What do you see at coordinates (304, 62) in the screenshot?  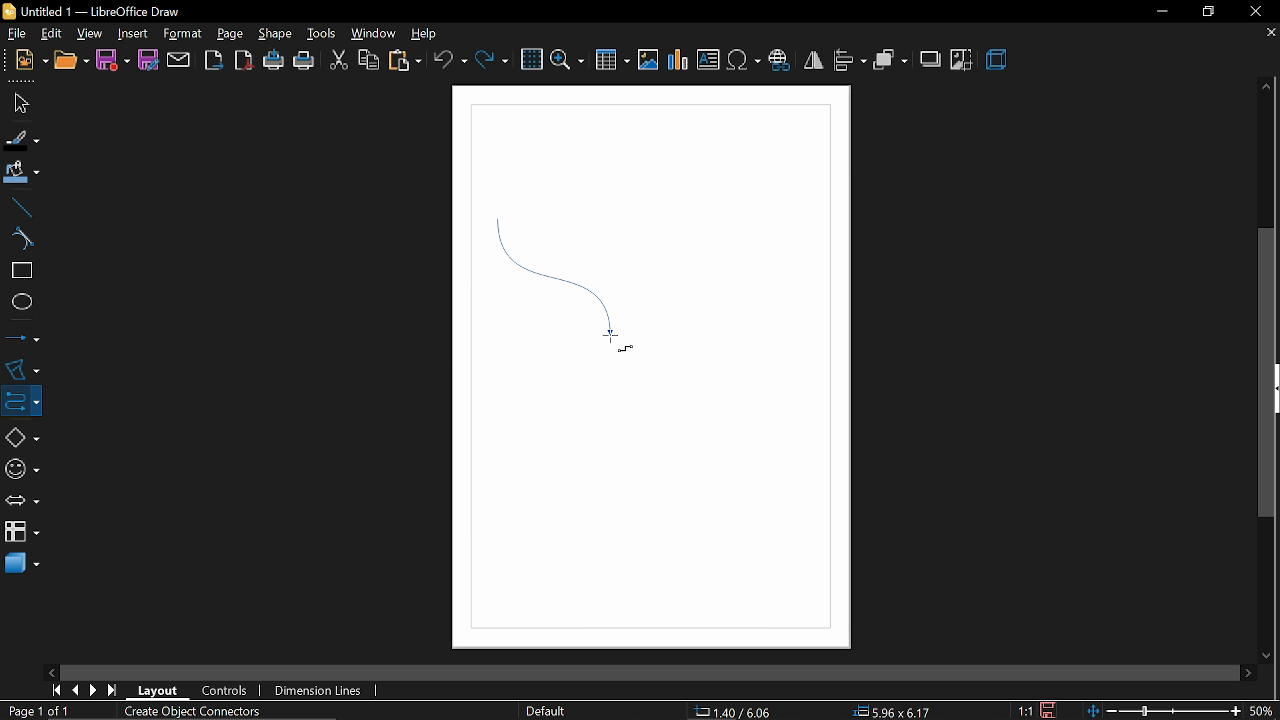 I see `print` at bounding box center [304, 62].